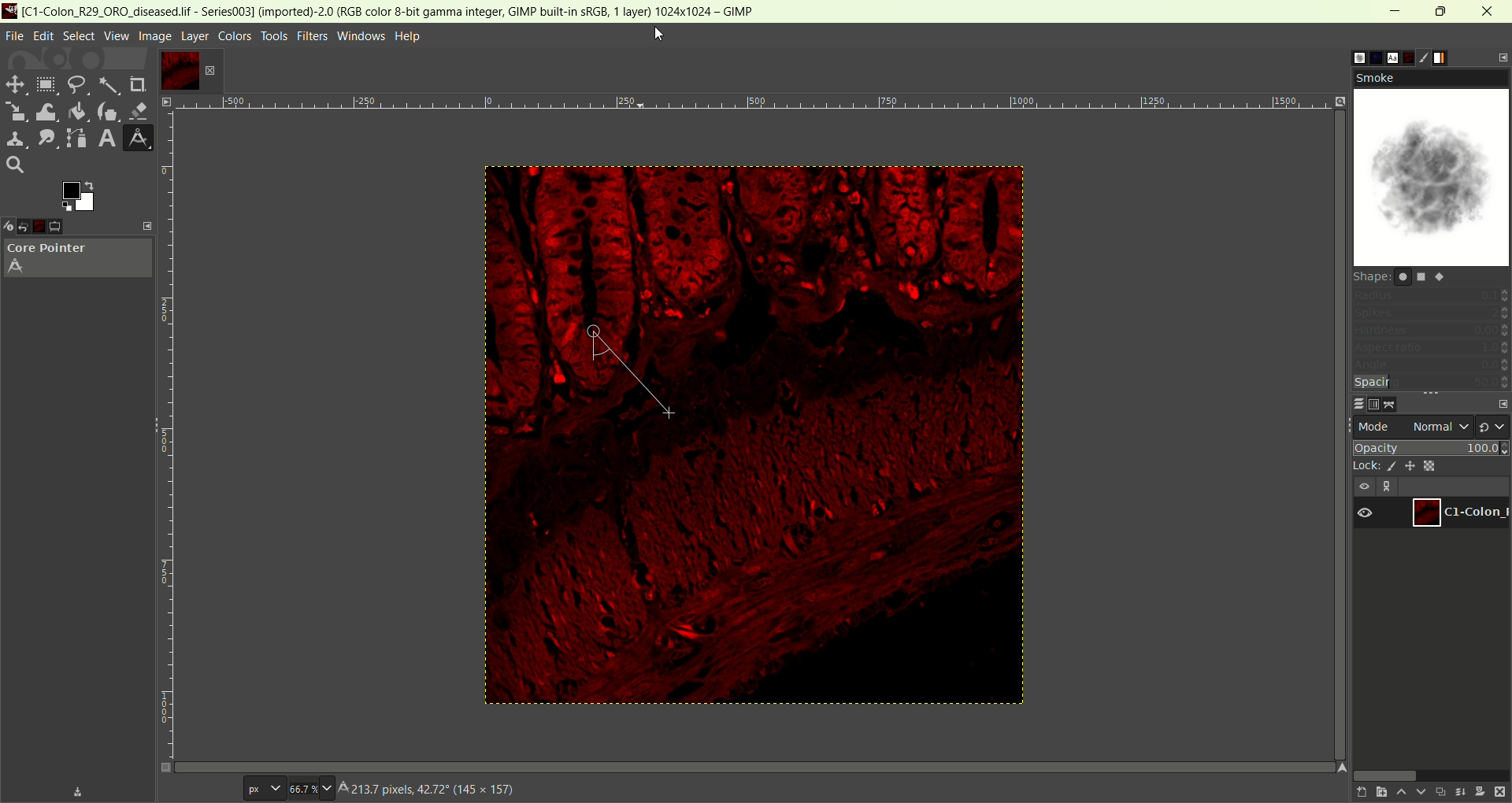 The image size is (1512, 803). What do you see at coordinates (76, 111) in the screenshot?
I see `color bucket` at bounding box center [76, 111].